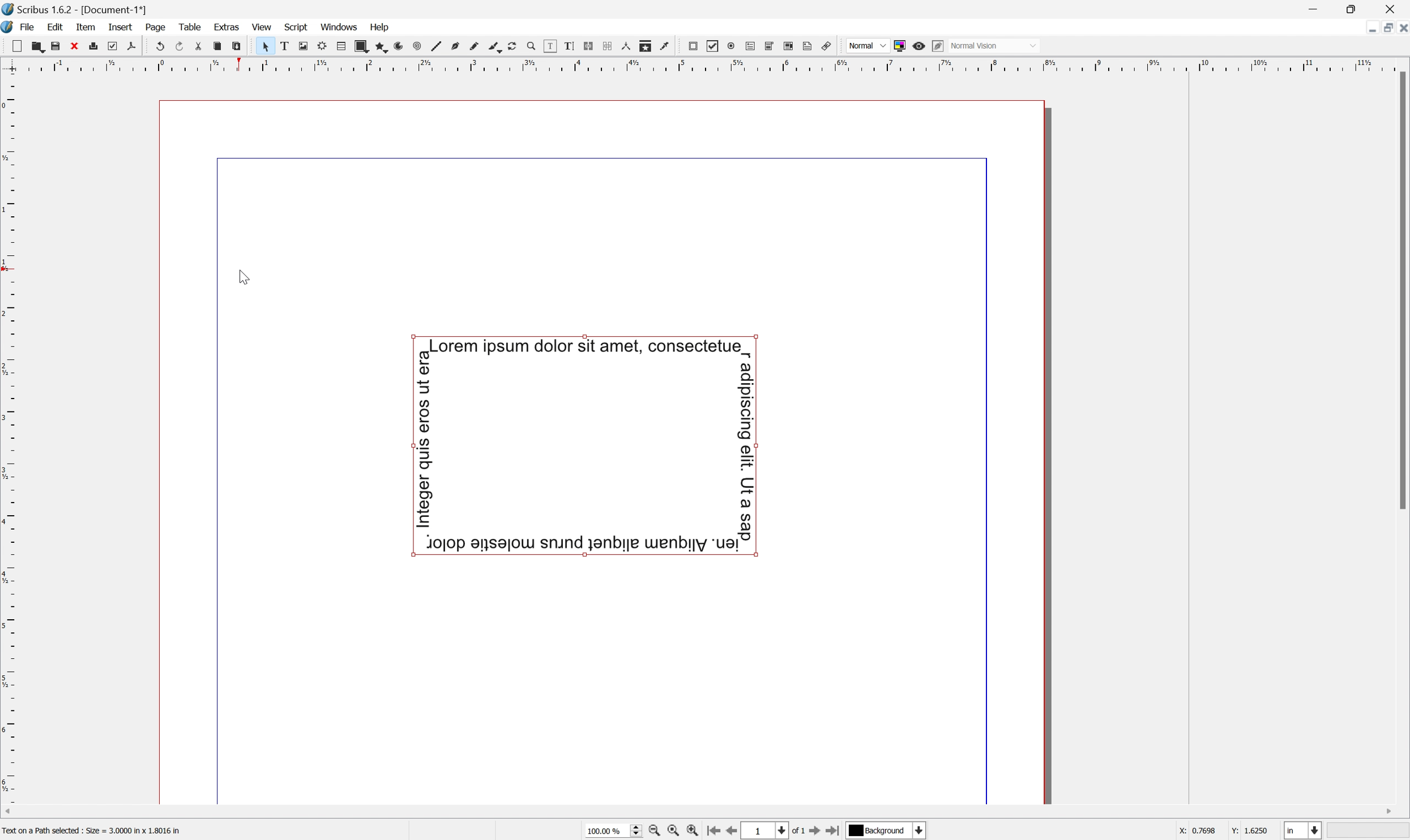 Image resolution: width=1410 pixels, height=840 pixels. Describe the element at coordinates (896, 44) in the screenshot. I see `Toggle color management system` at that location.